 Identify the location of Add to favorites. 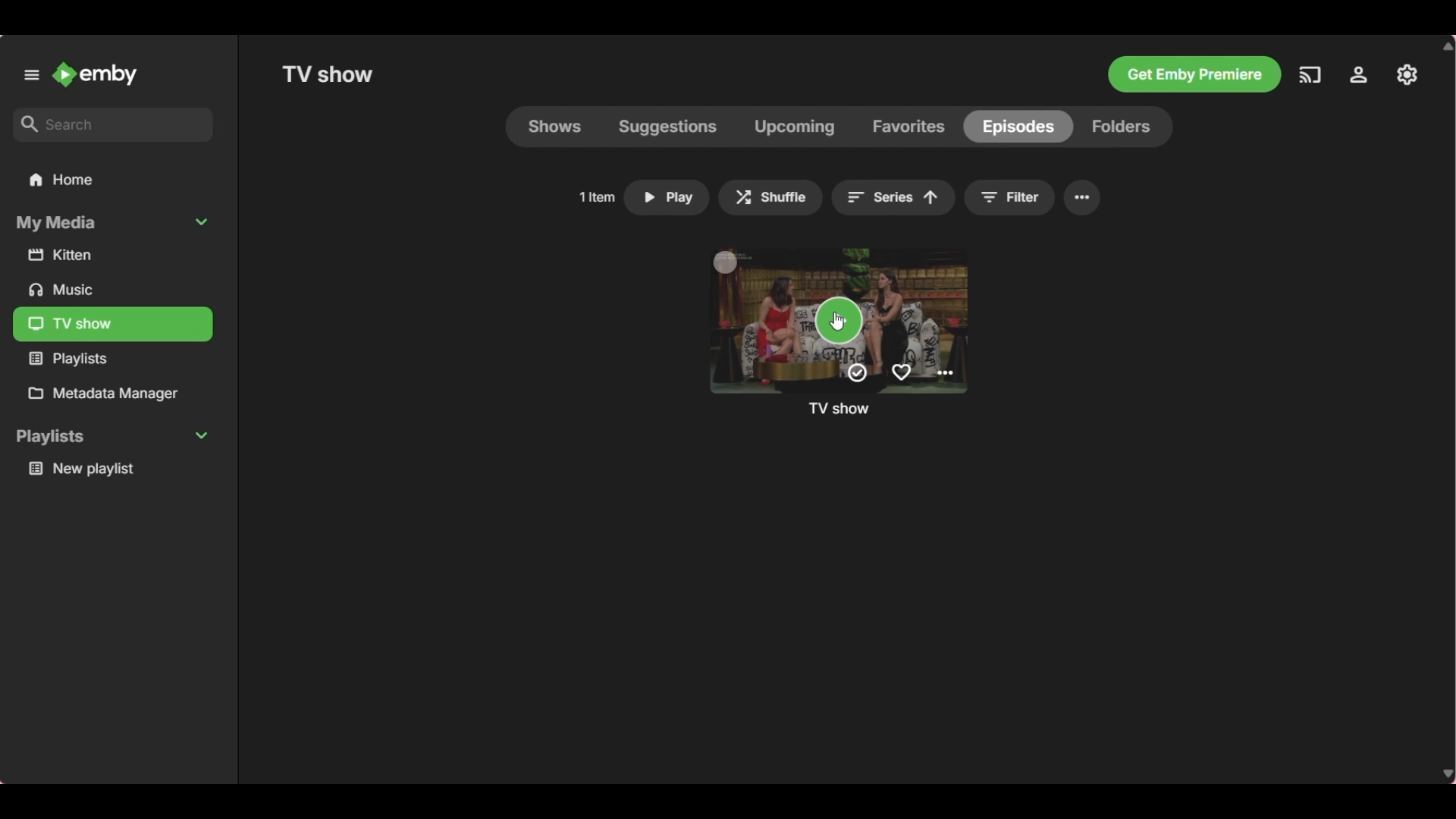
(902, 372).